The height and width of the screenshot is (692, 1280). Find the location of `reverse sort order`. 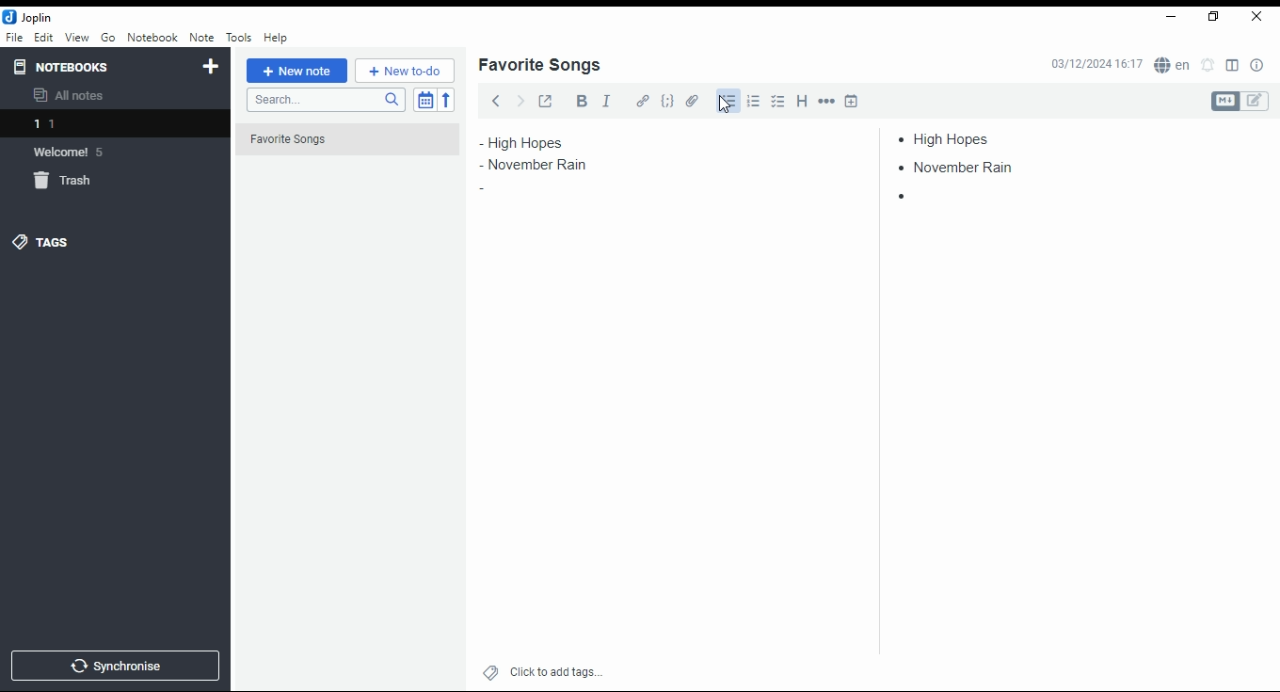

reverse sort order is located at coordinates (446, 100).